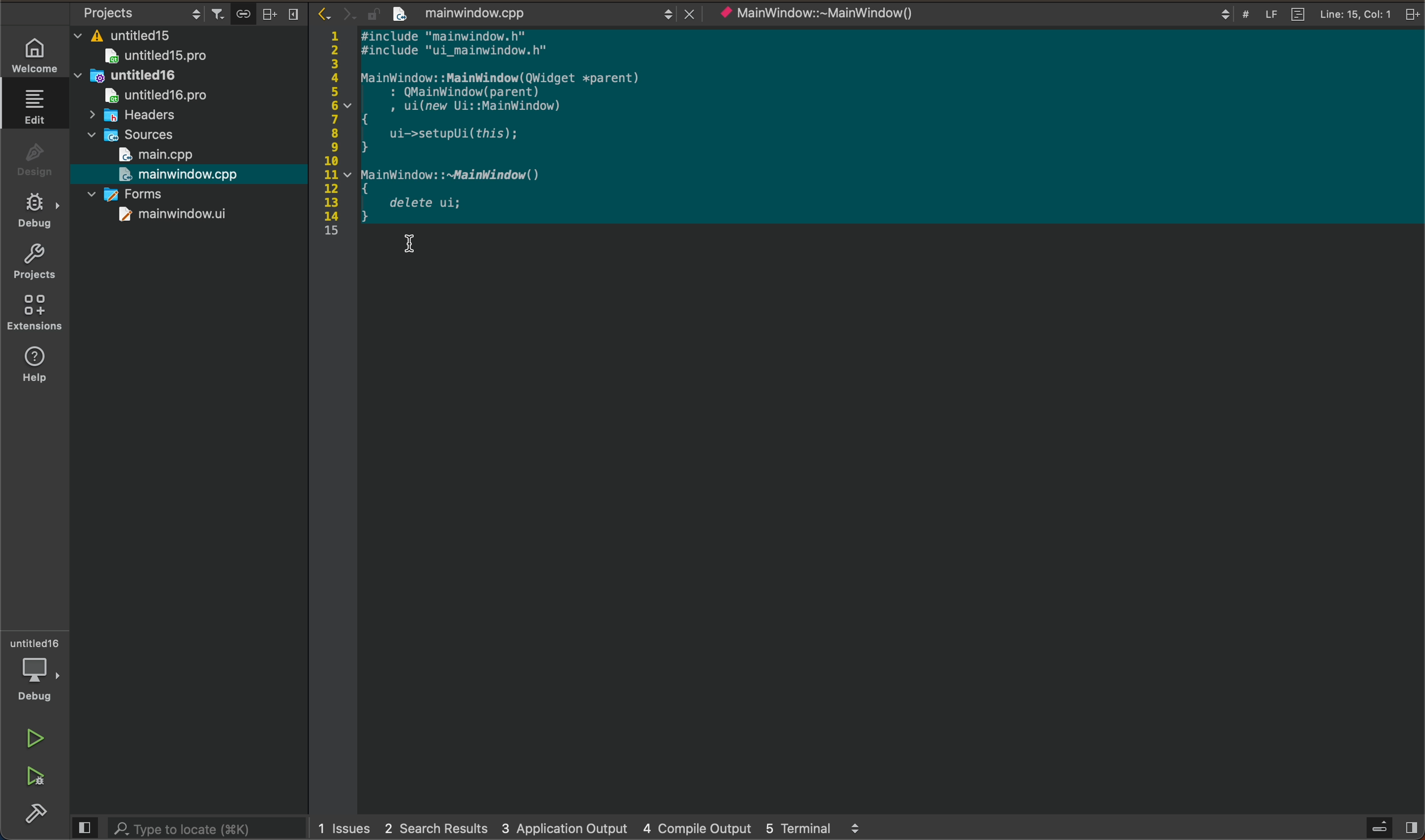 Image resolution: width=1425 pixels, height=840 pixels. What do you see at coordinates (1414, 829) in the screenshot?
I see `show right pane` at bounding box center [1414, 829].